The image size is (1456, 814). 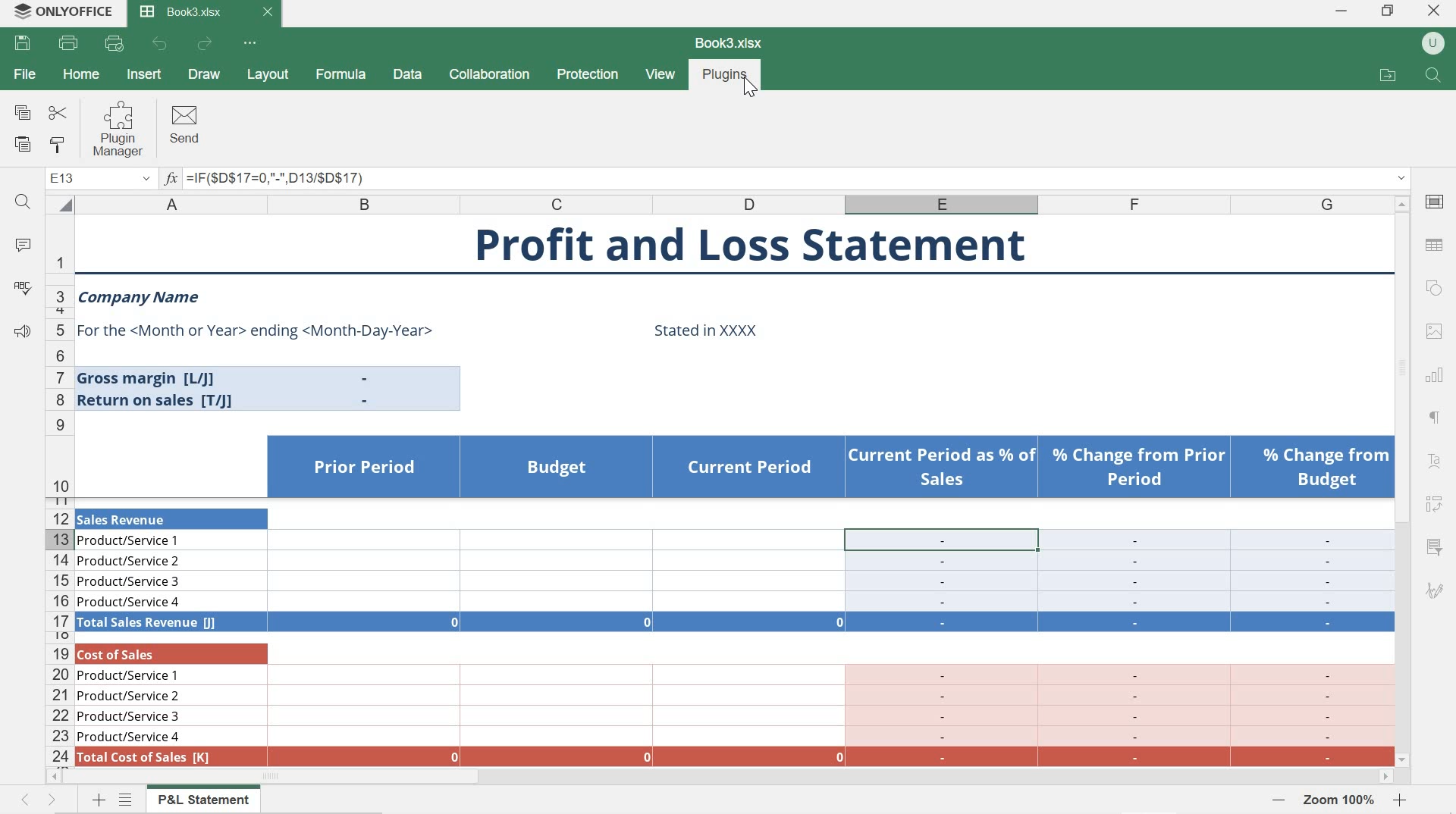 I want to click on data, so click(x=406, y=74).